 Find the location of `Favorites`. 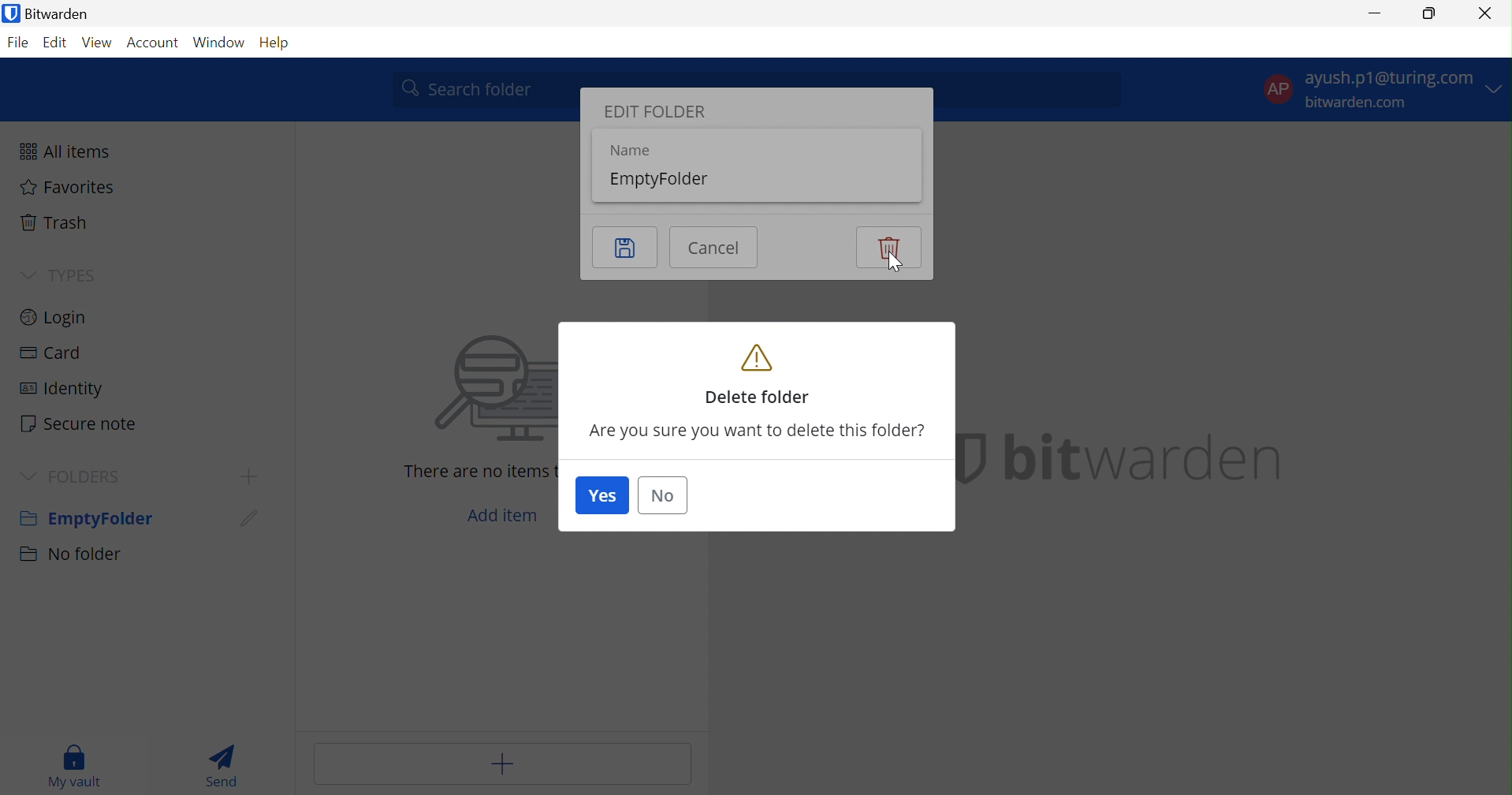

Favorites is located at coordinates (68, 187).